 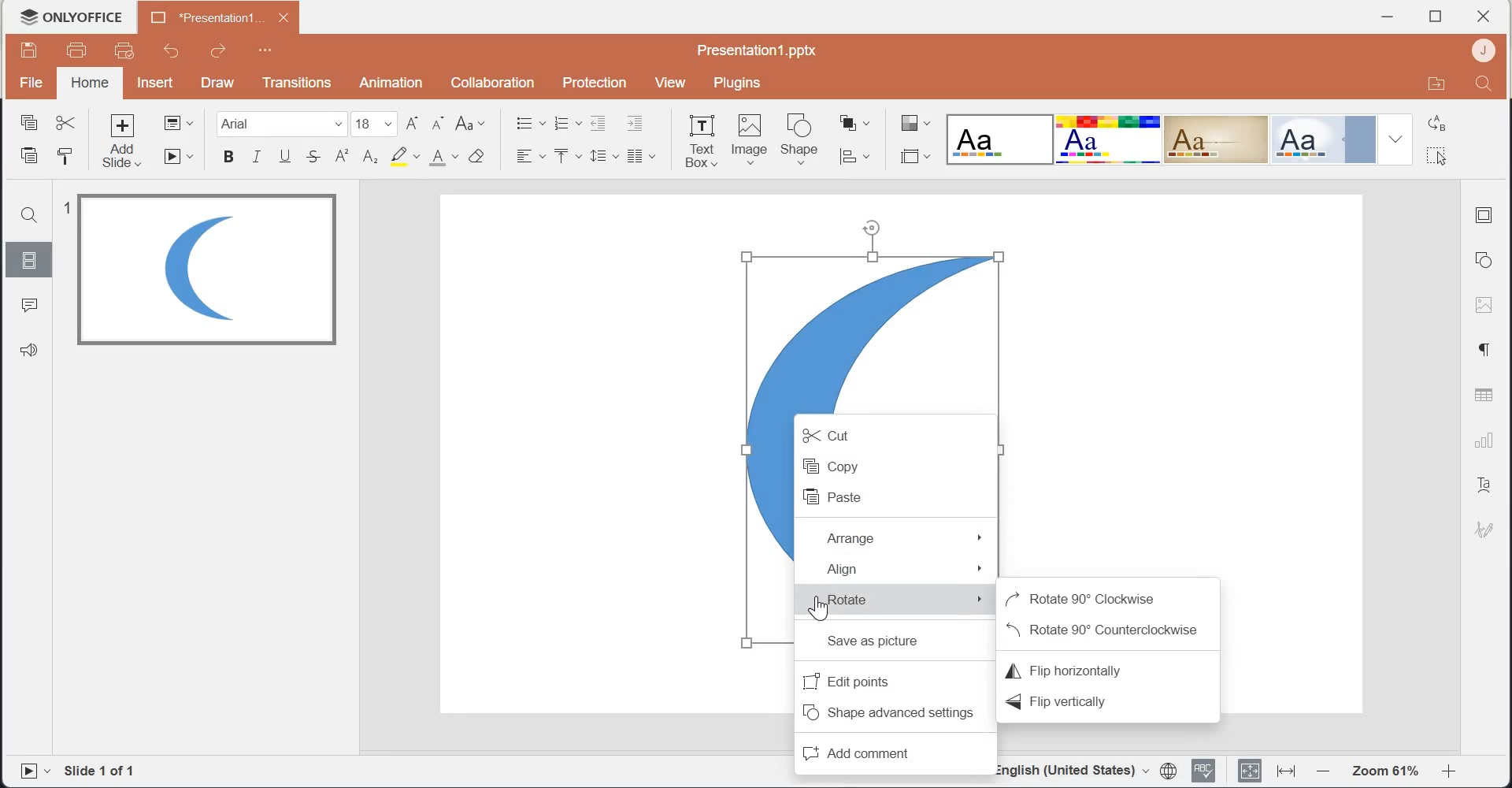 I want to click on Blank, so click(x=1000, y=138).